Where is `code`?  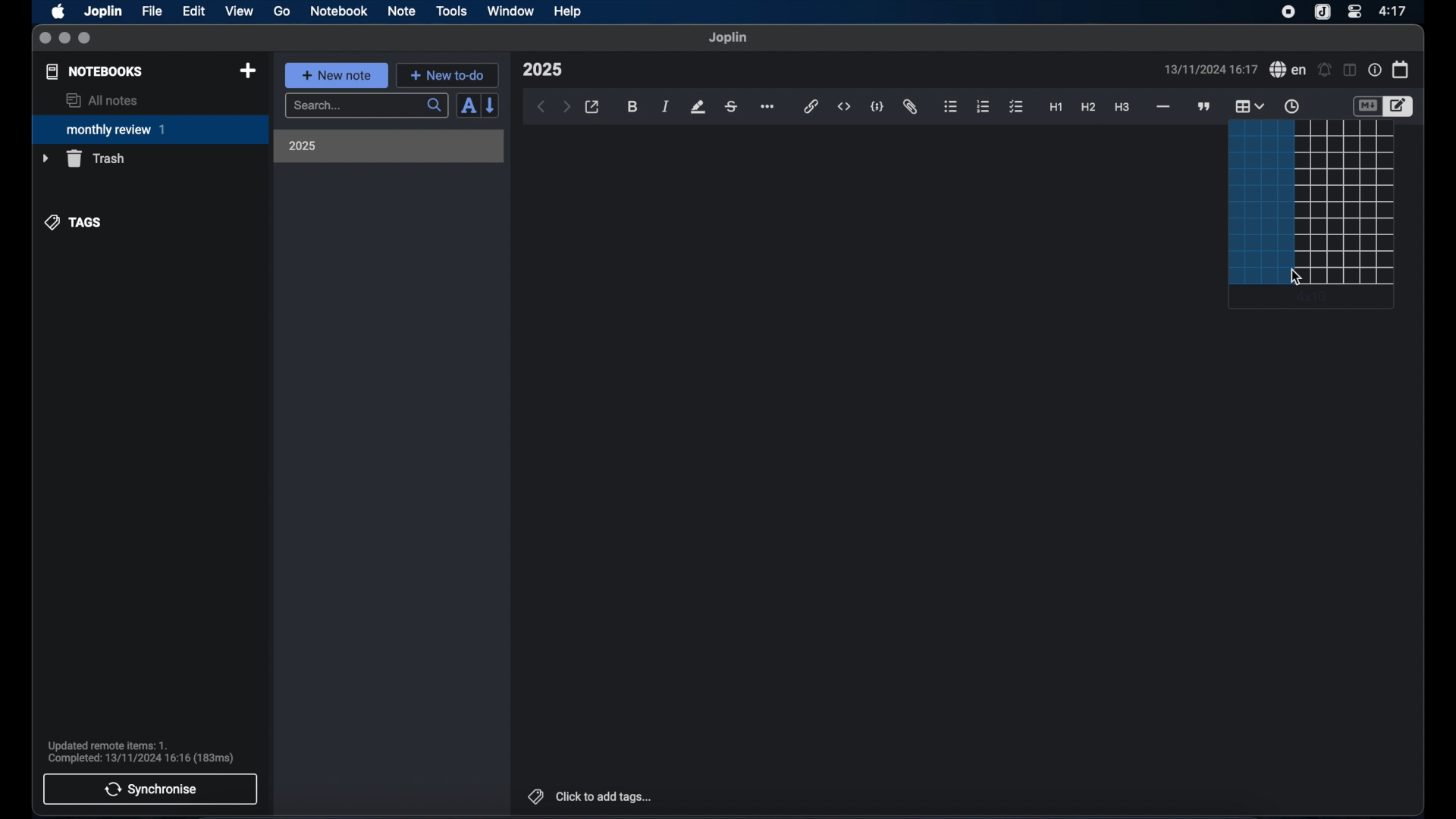 code is located at coordinates (877, 108).